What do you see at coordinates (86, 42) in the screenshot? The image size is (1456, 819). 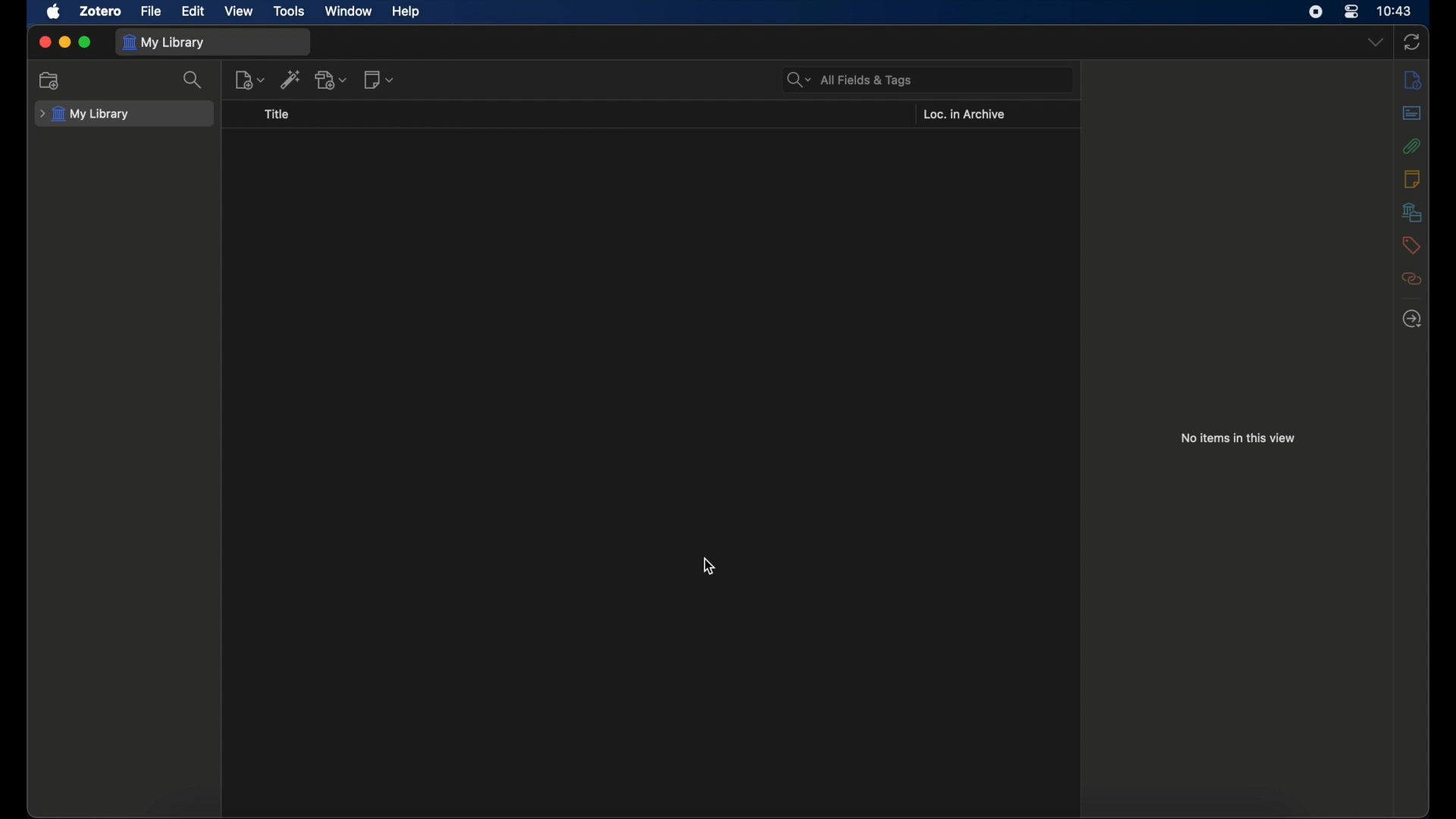 I see `maximize` at bounding box center [86, 42].